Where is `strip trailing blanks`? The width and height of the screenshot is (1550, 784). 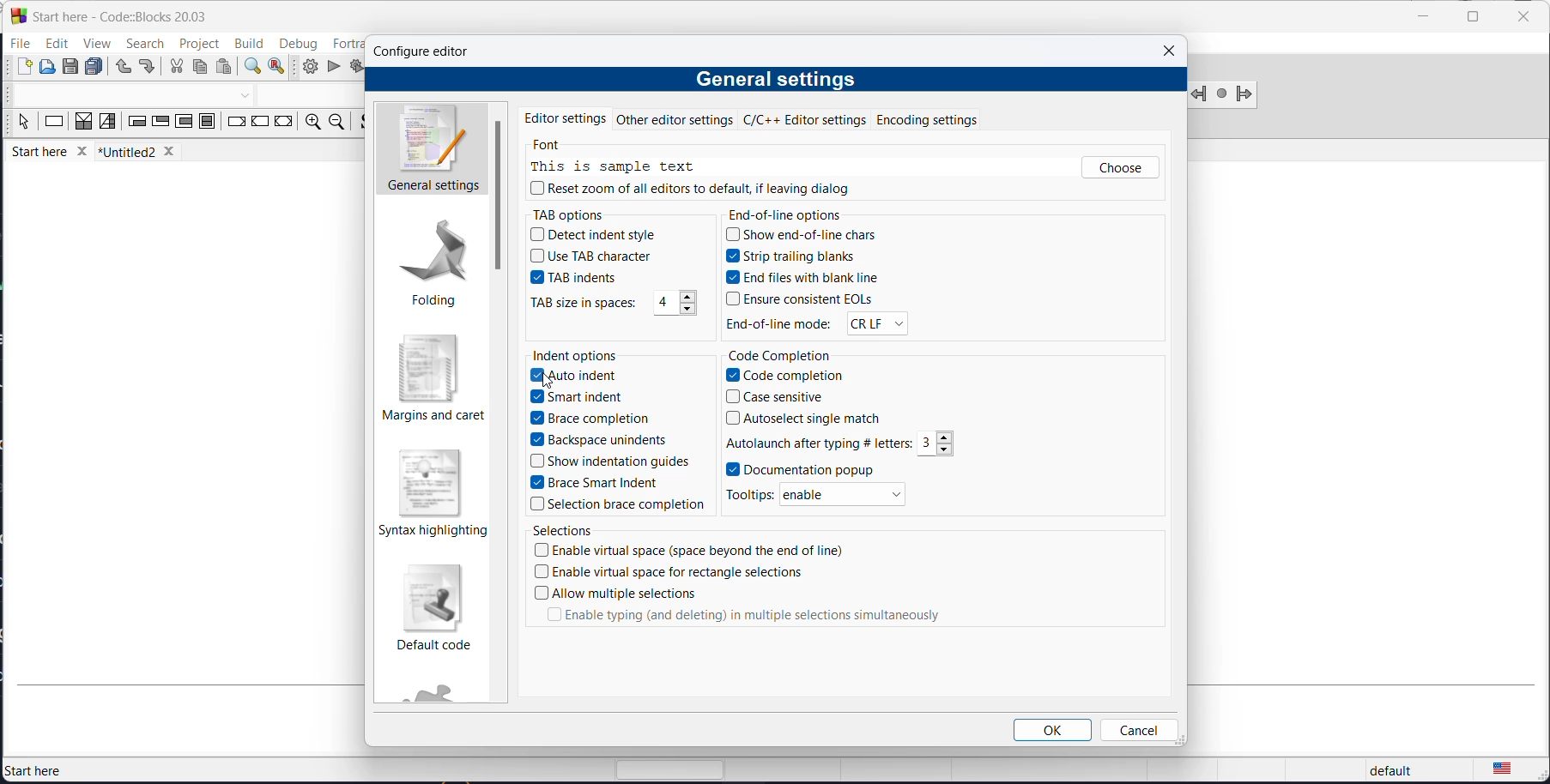 strip trailing blanks is located at coordinates (802, 257).